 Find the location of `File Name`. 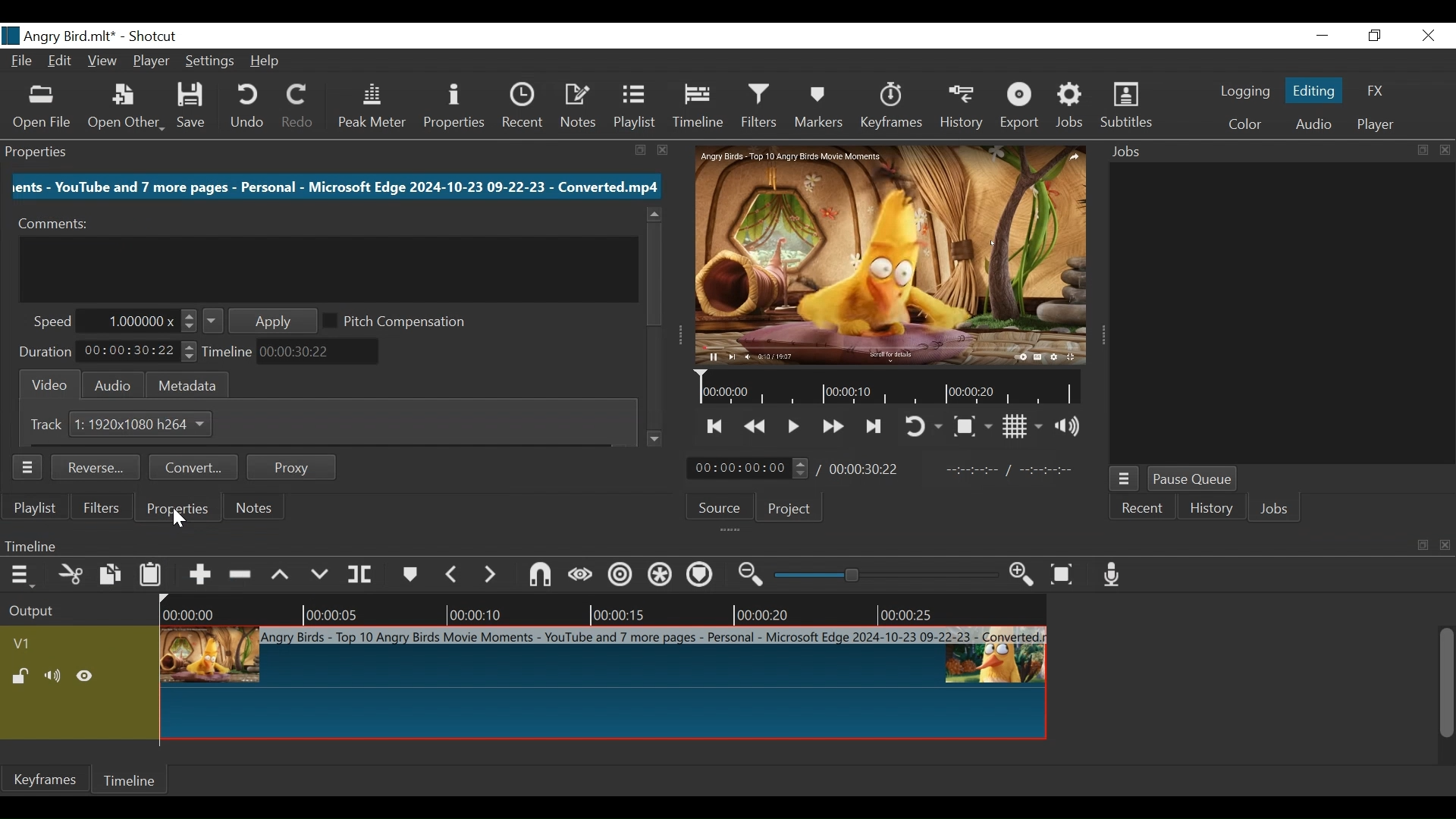

File Name is located at coordinates (334, 187).